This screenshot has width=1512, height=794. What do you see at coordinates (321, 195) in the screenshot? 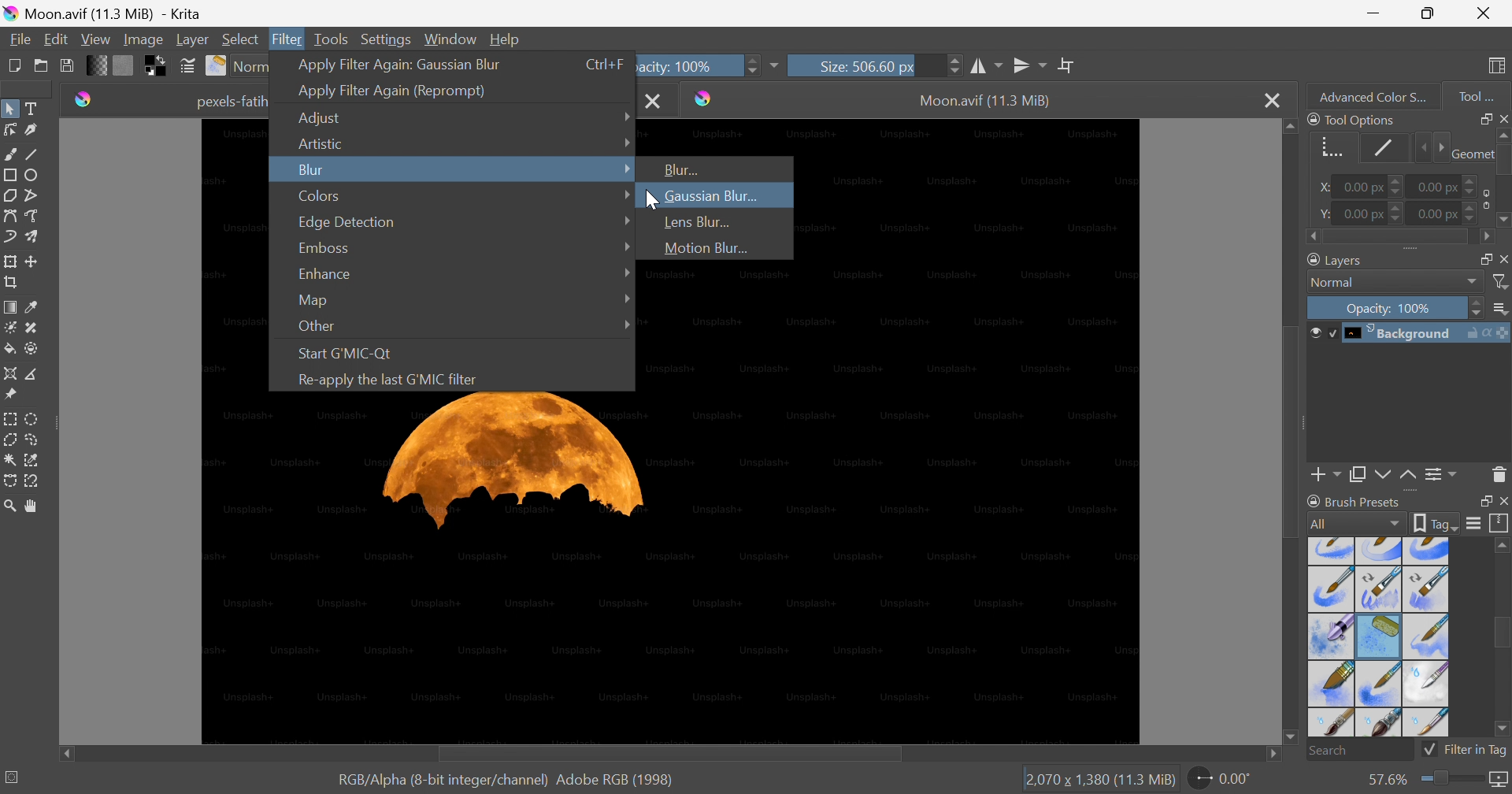
I see `Colors` at bounding box center [321, 195].